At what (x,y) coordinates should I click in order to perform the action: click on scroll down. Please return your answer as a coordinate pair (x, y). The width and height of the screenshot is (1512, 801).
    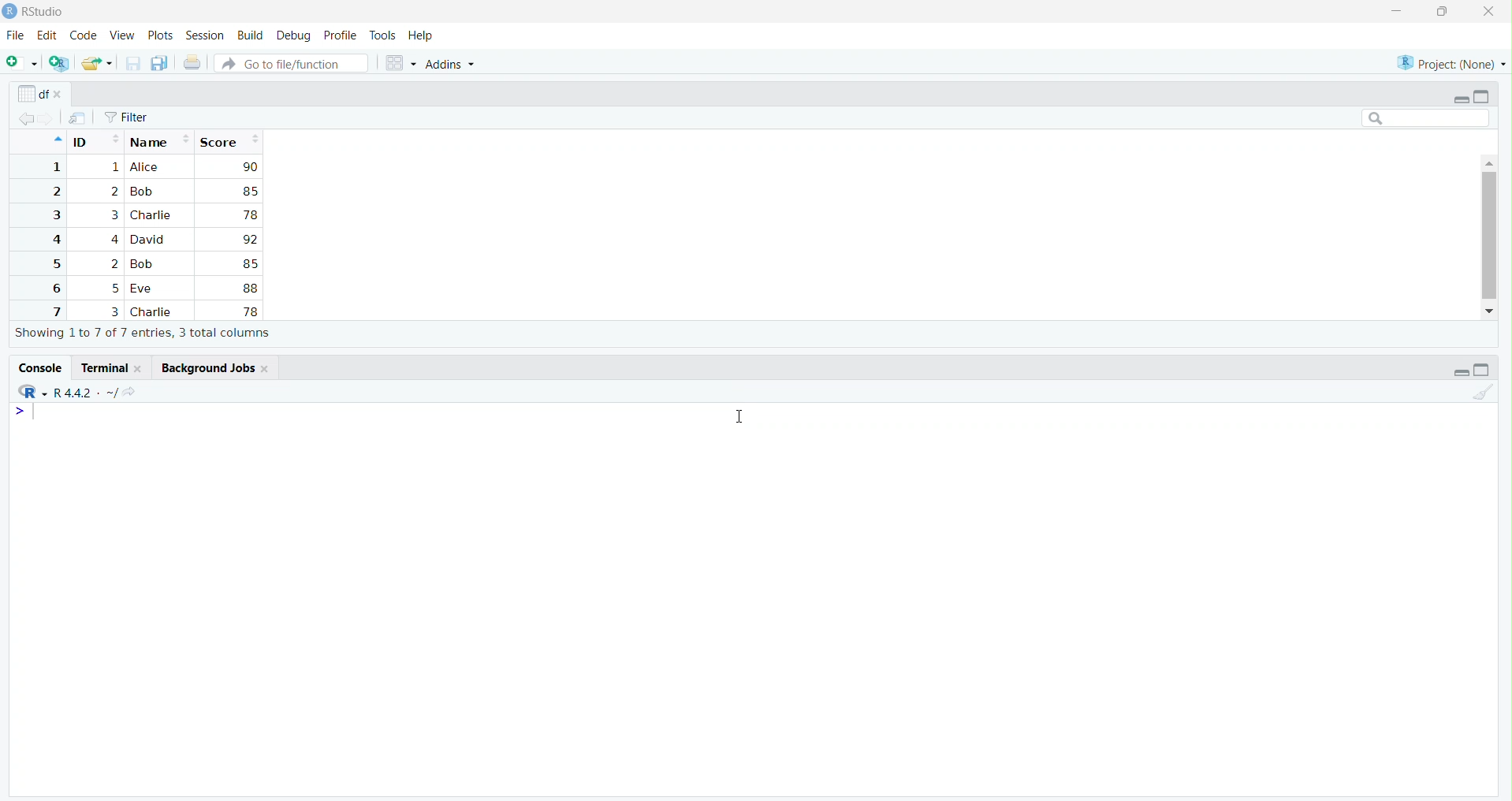
    Looking at the image, I should click on (1491, 311).